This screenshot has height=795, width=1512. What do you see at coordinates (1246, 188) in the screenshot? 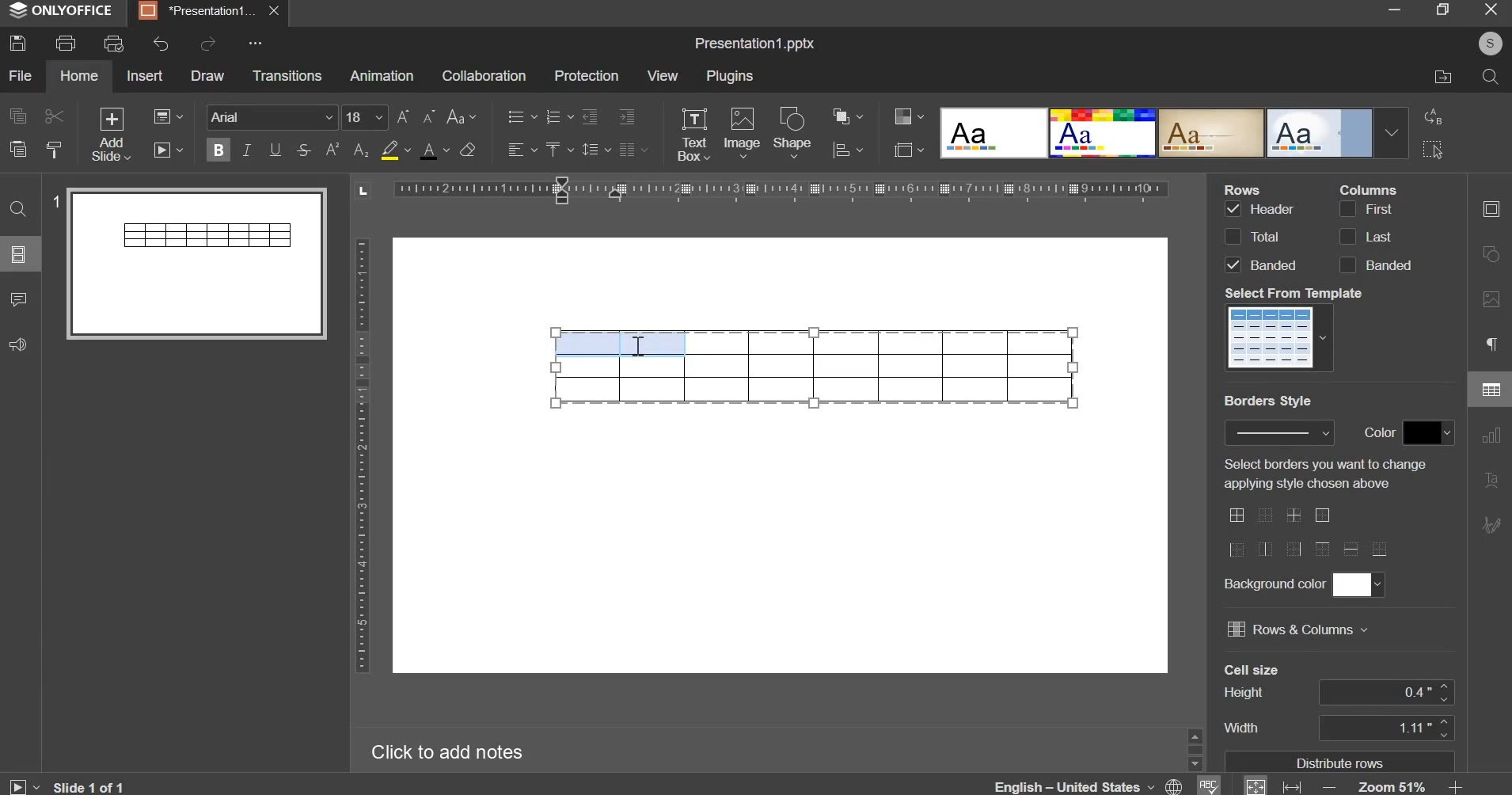
I see `Rows` at bounding box center [1246, 188].